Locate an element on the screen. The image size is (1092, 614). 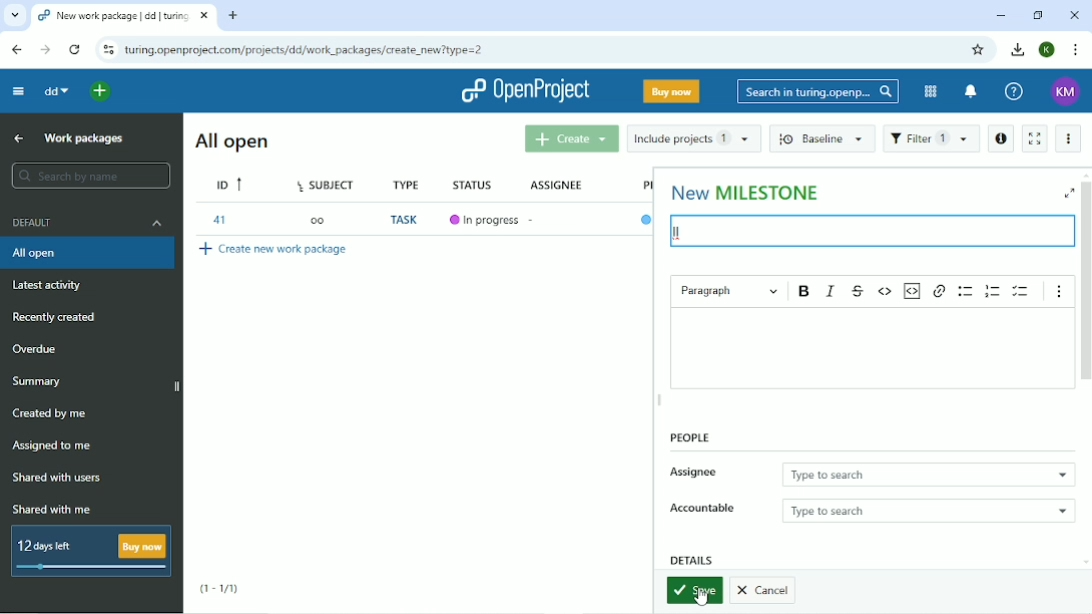
Assignee is located at coordinates (696, 473).